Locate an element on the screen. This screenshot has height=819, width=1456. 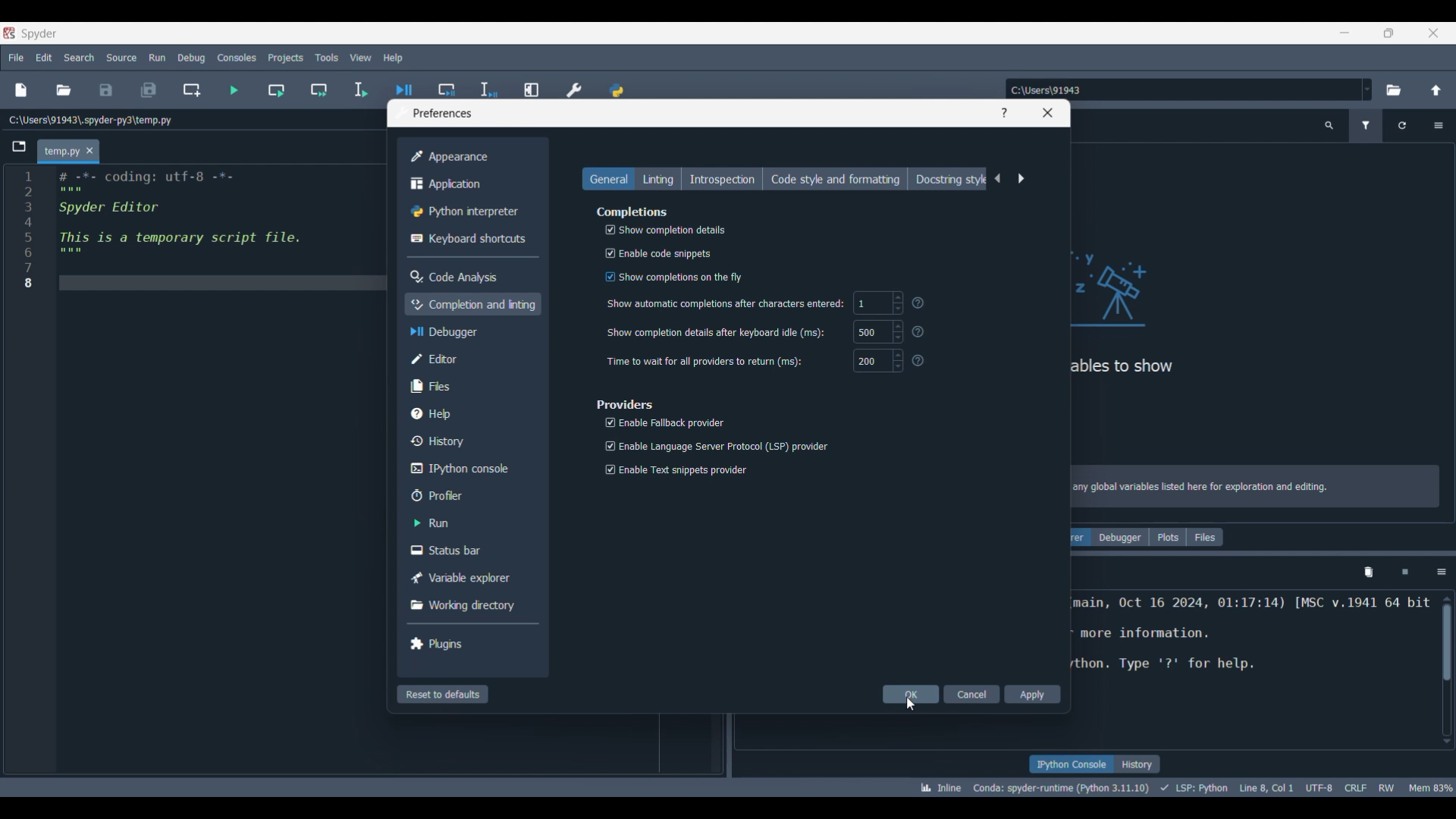
Run selection/current line is located at coordinates (360, 90).